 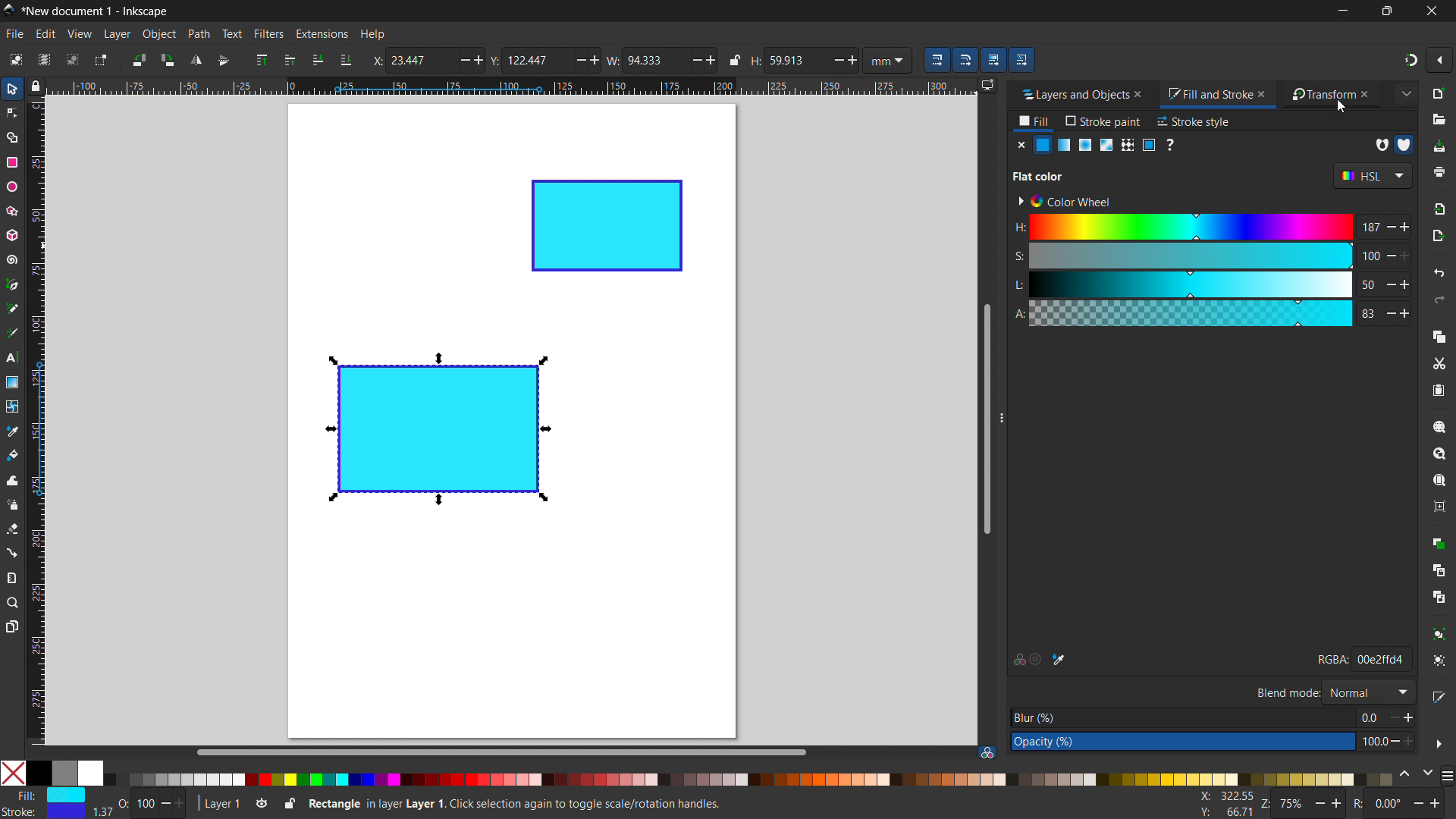 What do you see at coordinates (1439, 272) in the screenshot?
I see `undo` at bounding box center [1439, 272].